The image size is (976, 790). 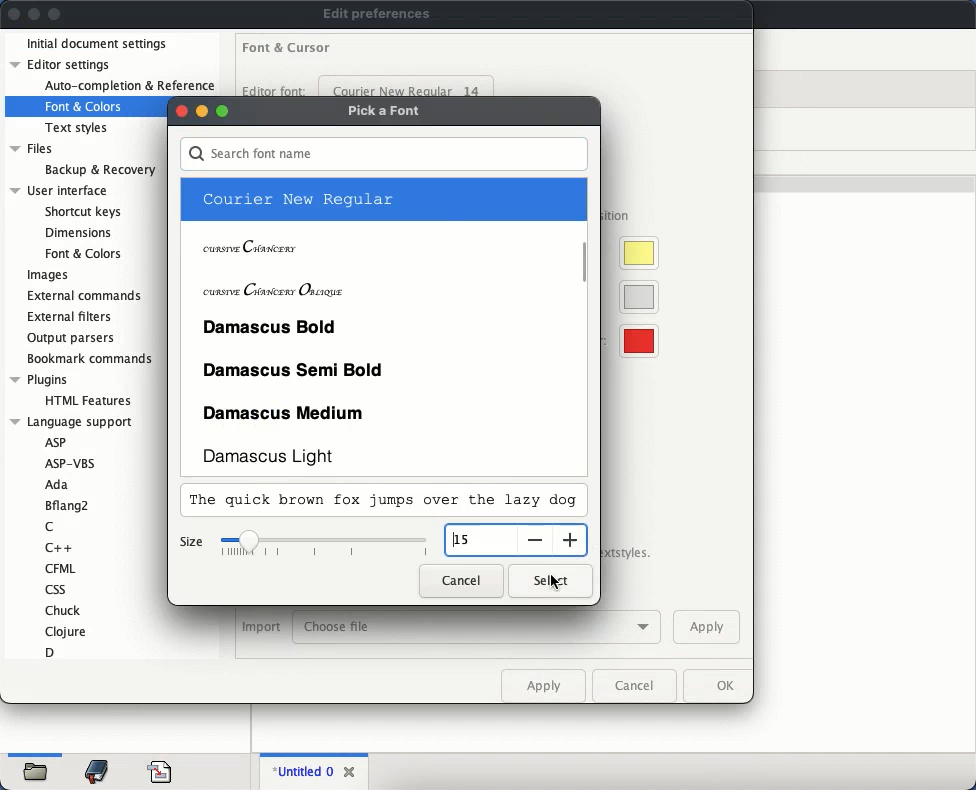 I want to click on size, so click(x=191, y=543).